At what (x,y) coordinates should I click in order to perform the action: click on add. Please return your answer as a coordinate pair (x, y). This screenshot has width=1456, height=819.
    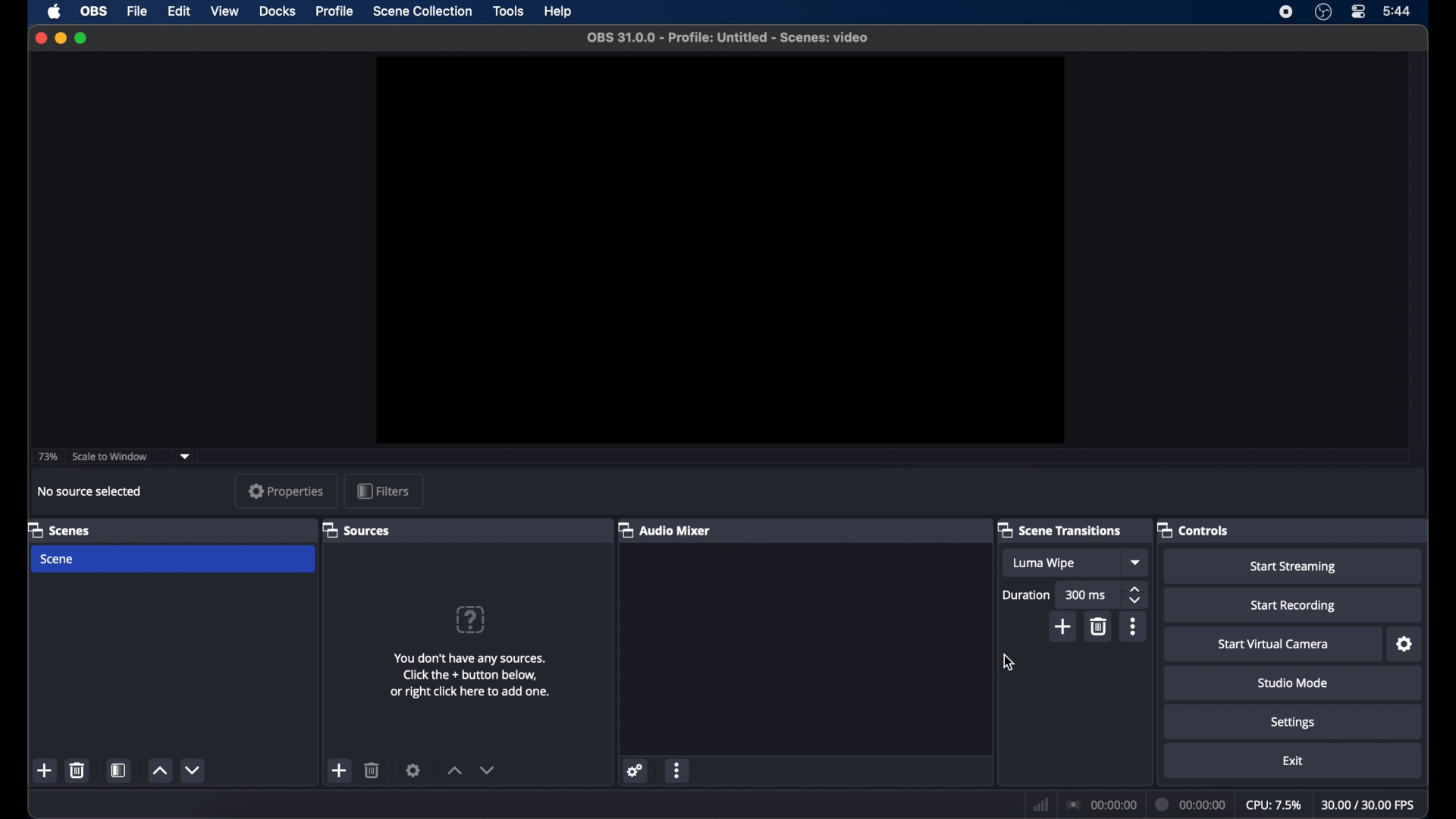
    Looking at the image, I should click on (1062, 629).